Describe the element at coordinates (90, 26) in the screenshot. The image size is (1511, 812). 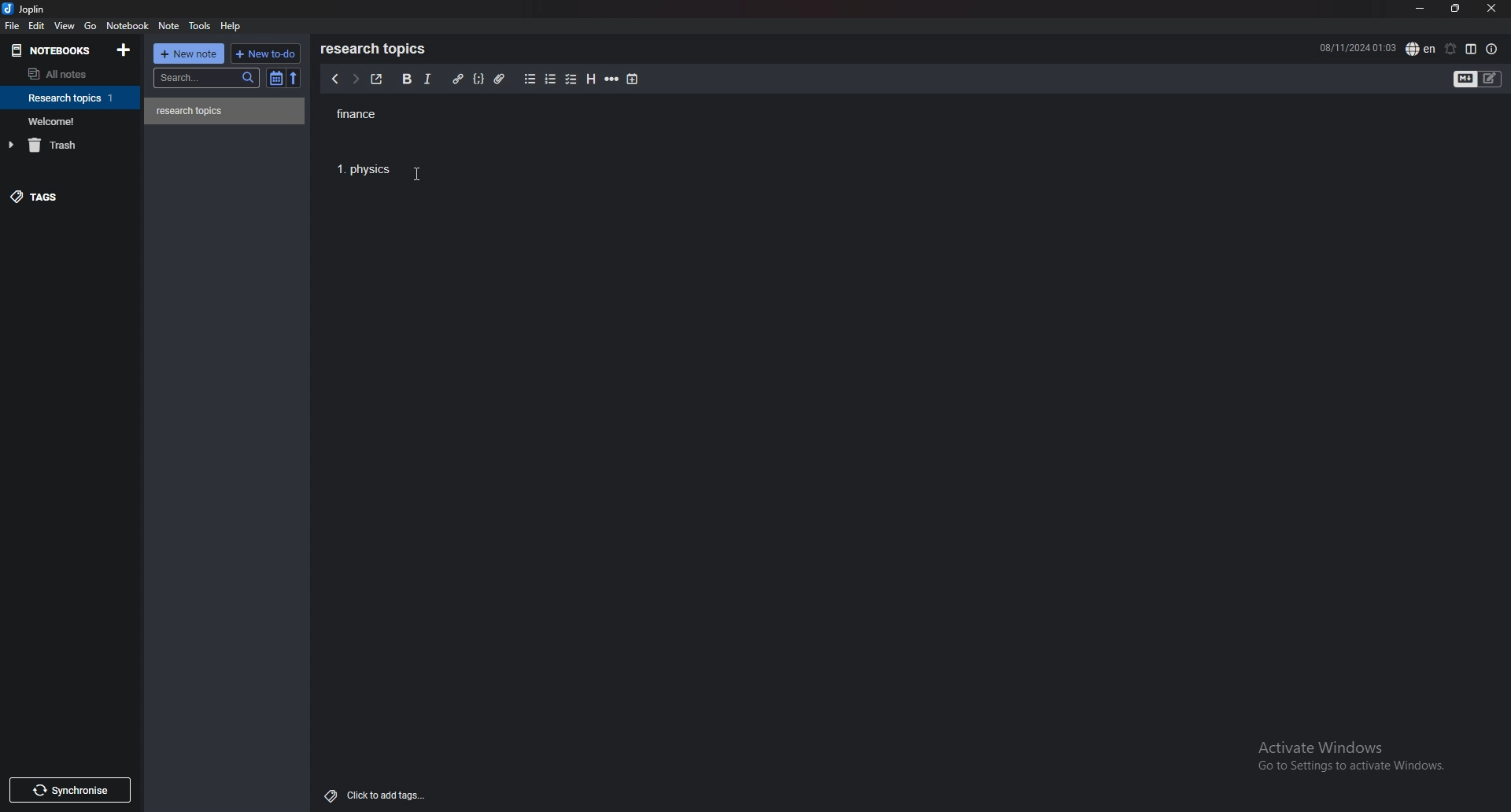
I see `go` at that location.